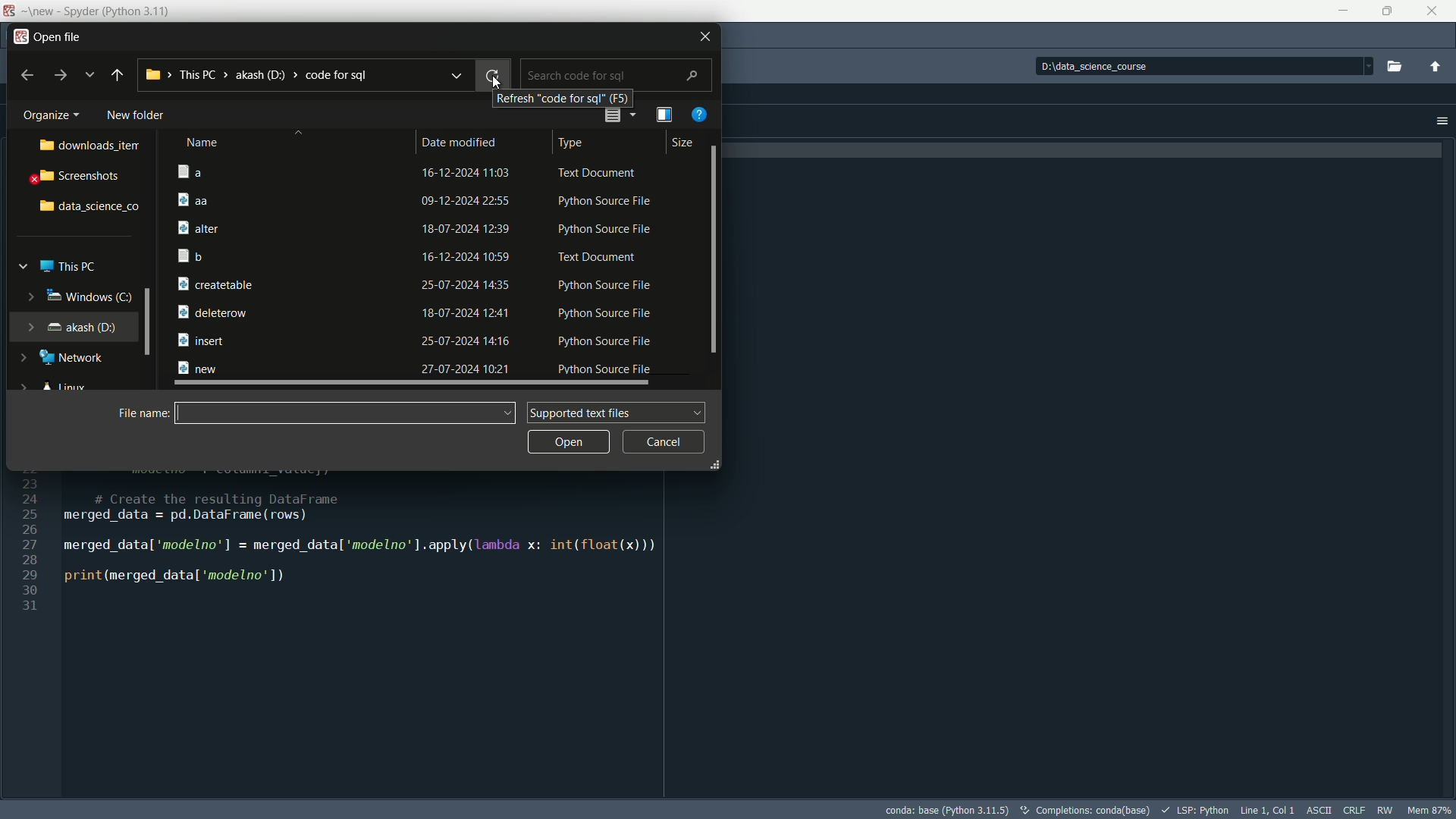 The image size is (1456, 819). Describe the element at coordinates (93, 145) in the screenshot. I see `downloads_item` at that location.